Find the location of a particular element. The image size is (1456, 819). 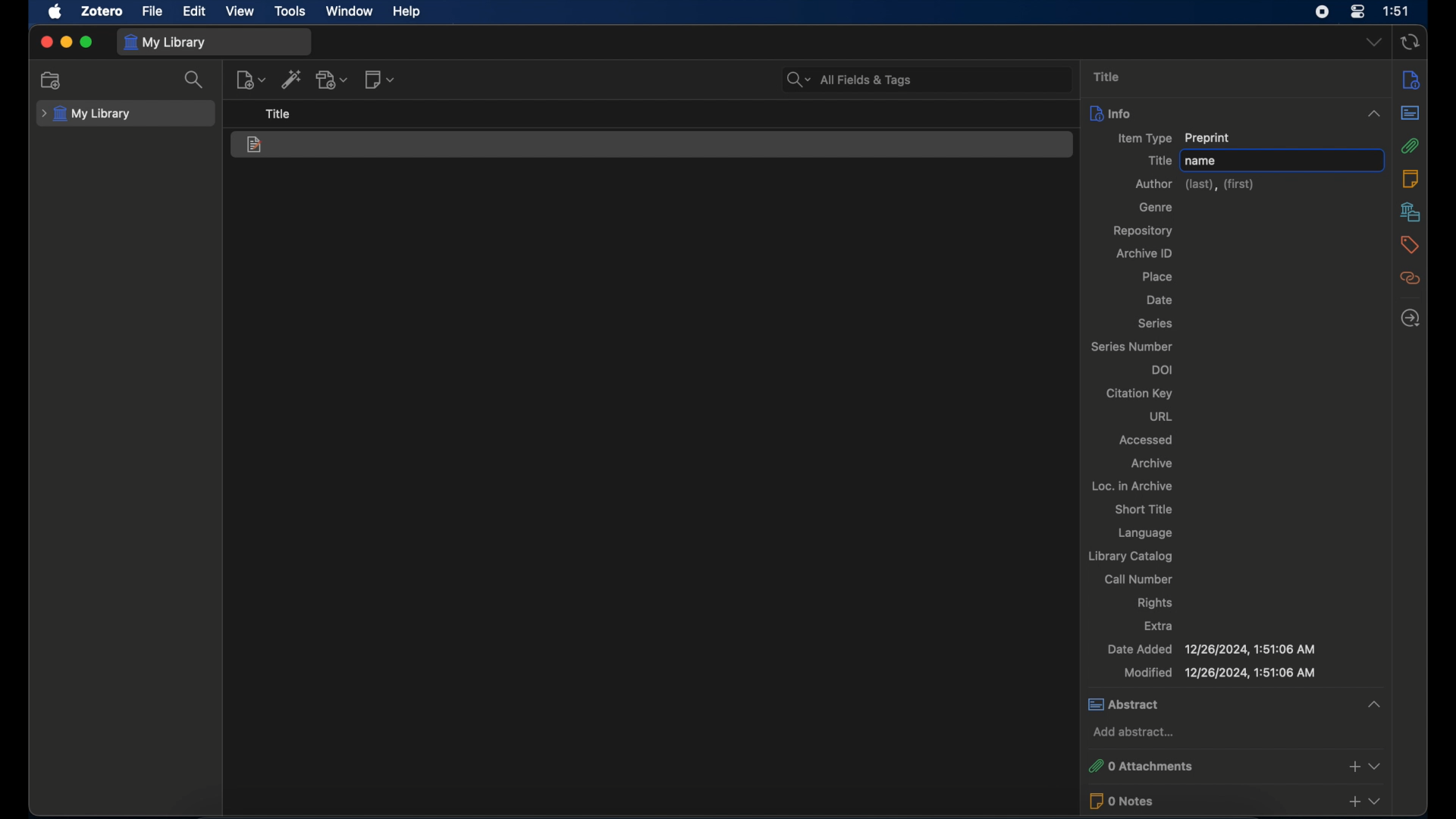

1:51 is located at coordinates (1398, 11).